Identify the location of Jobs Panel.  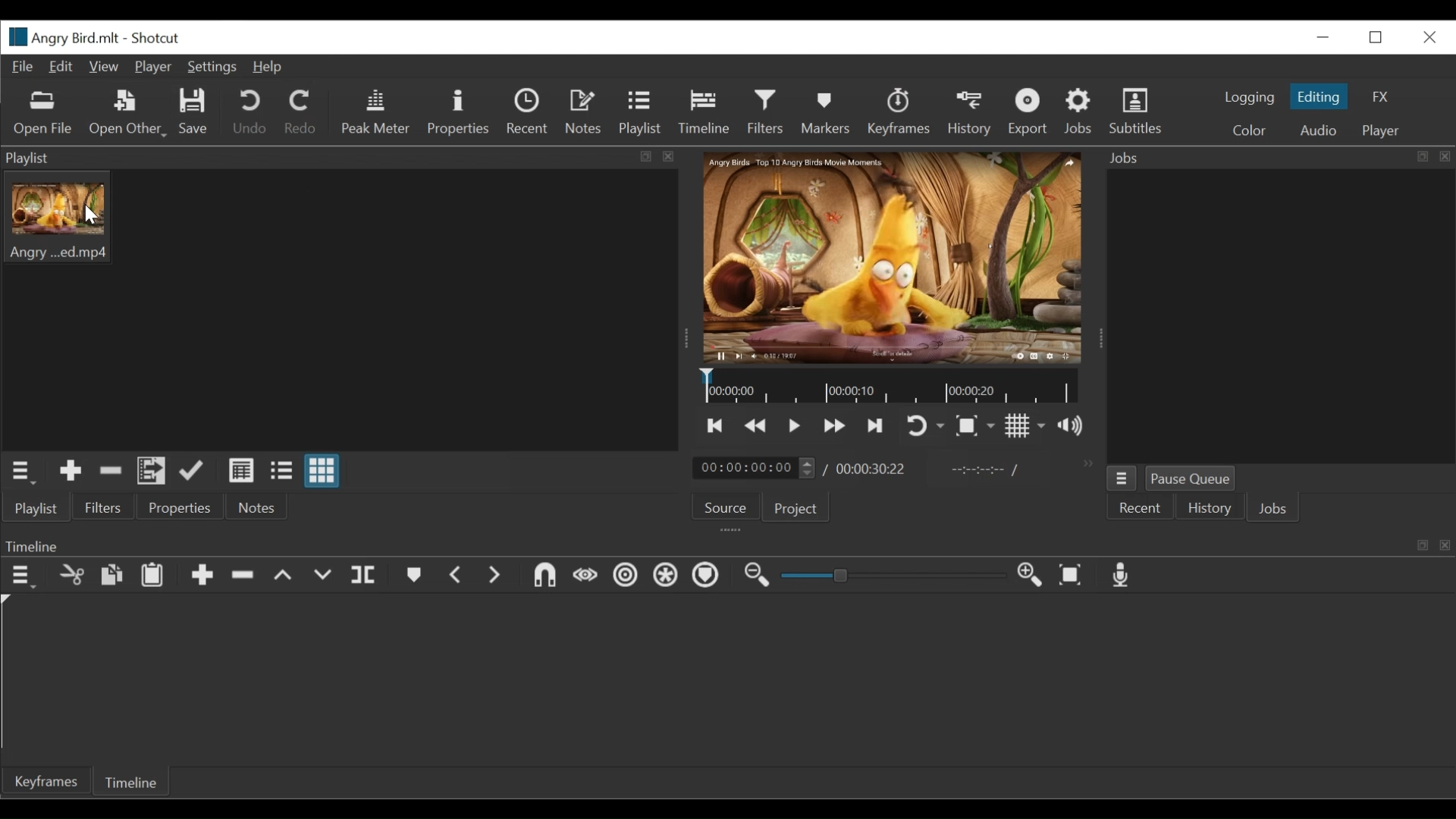
(1279, 158).